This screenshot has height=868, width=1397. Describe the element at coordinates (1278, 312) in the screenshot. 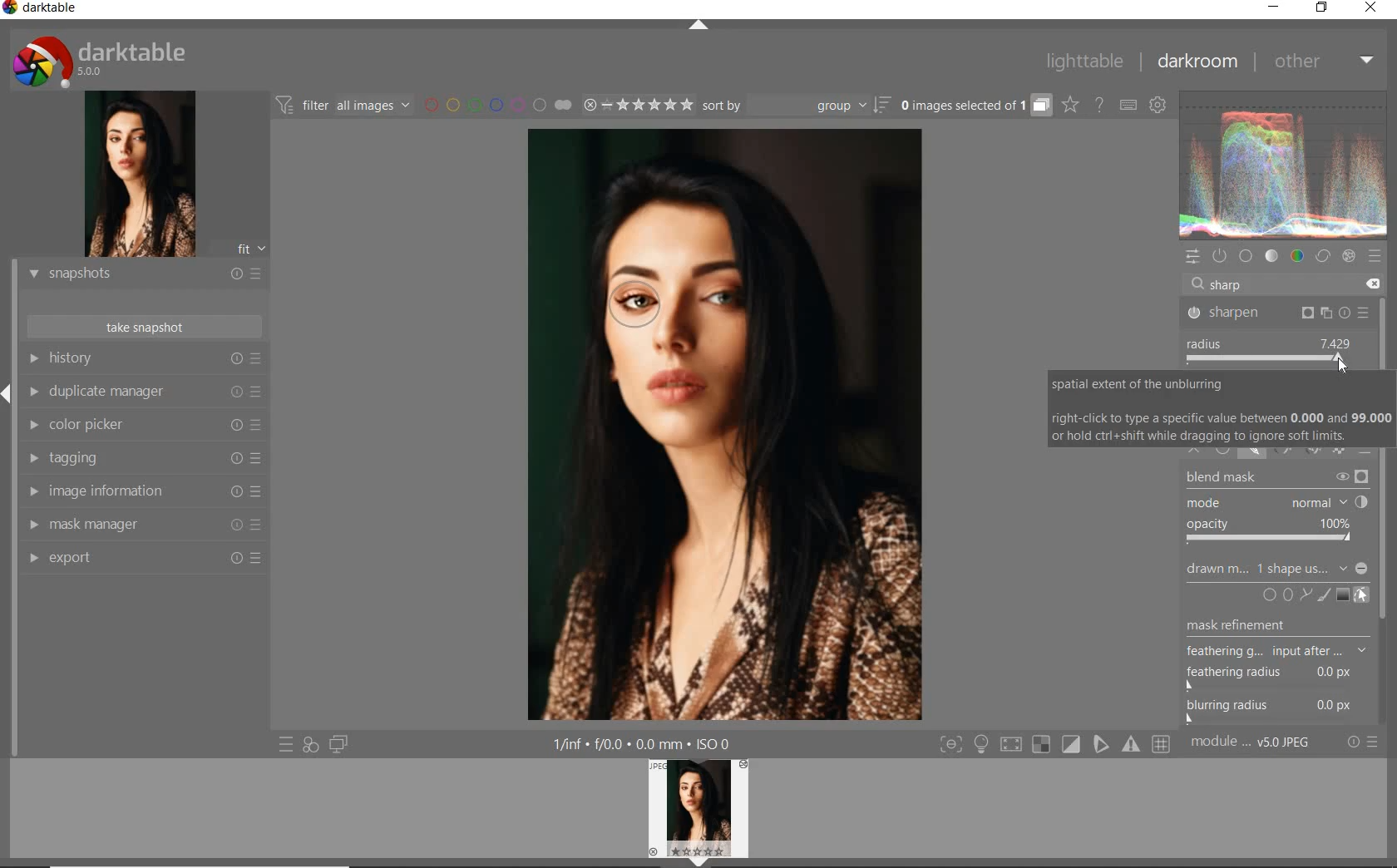

I see `sharpen` at that location.